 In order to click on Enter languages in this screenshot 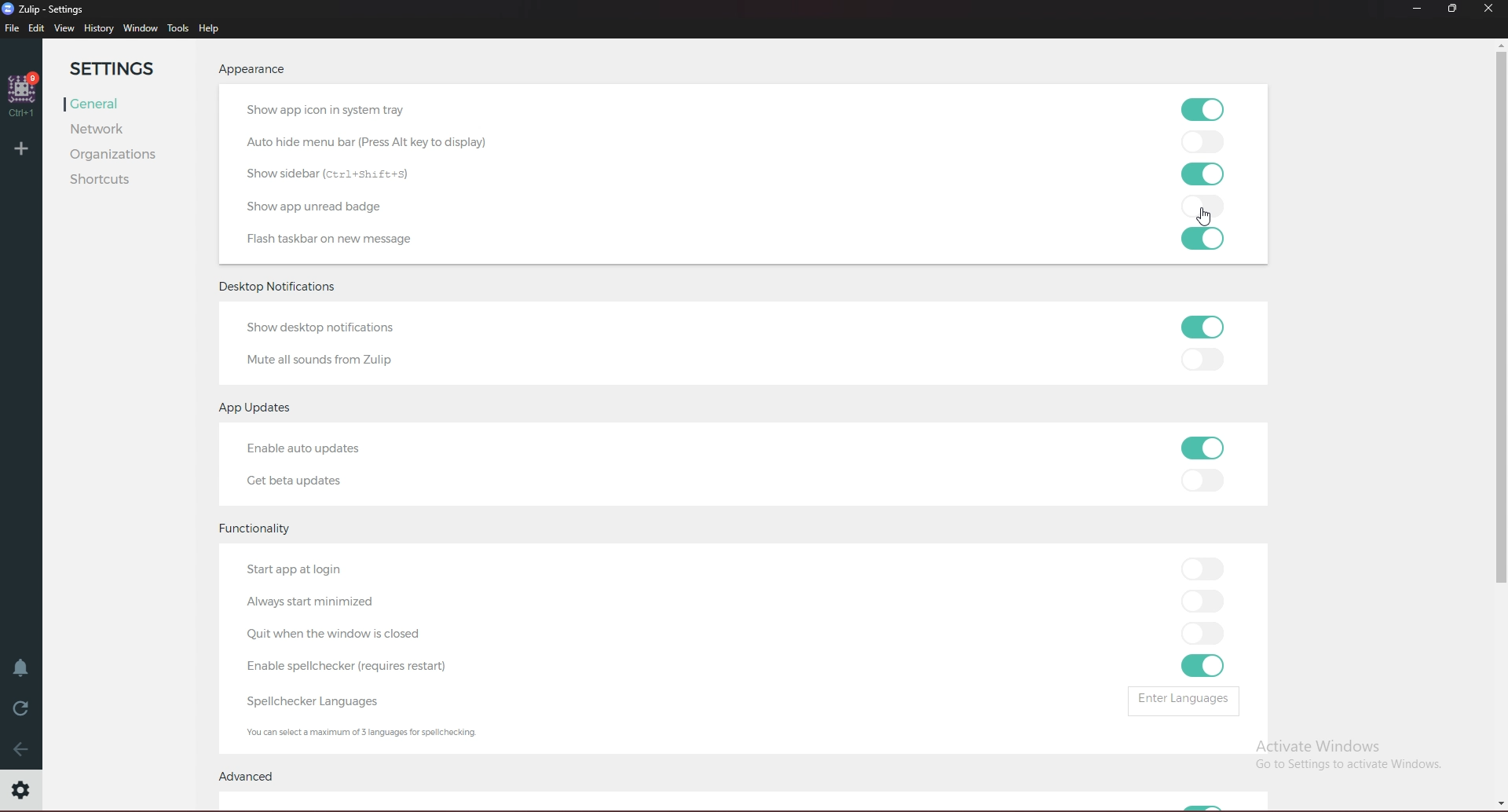, I will do `click(1188, 701)`.